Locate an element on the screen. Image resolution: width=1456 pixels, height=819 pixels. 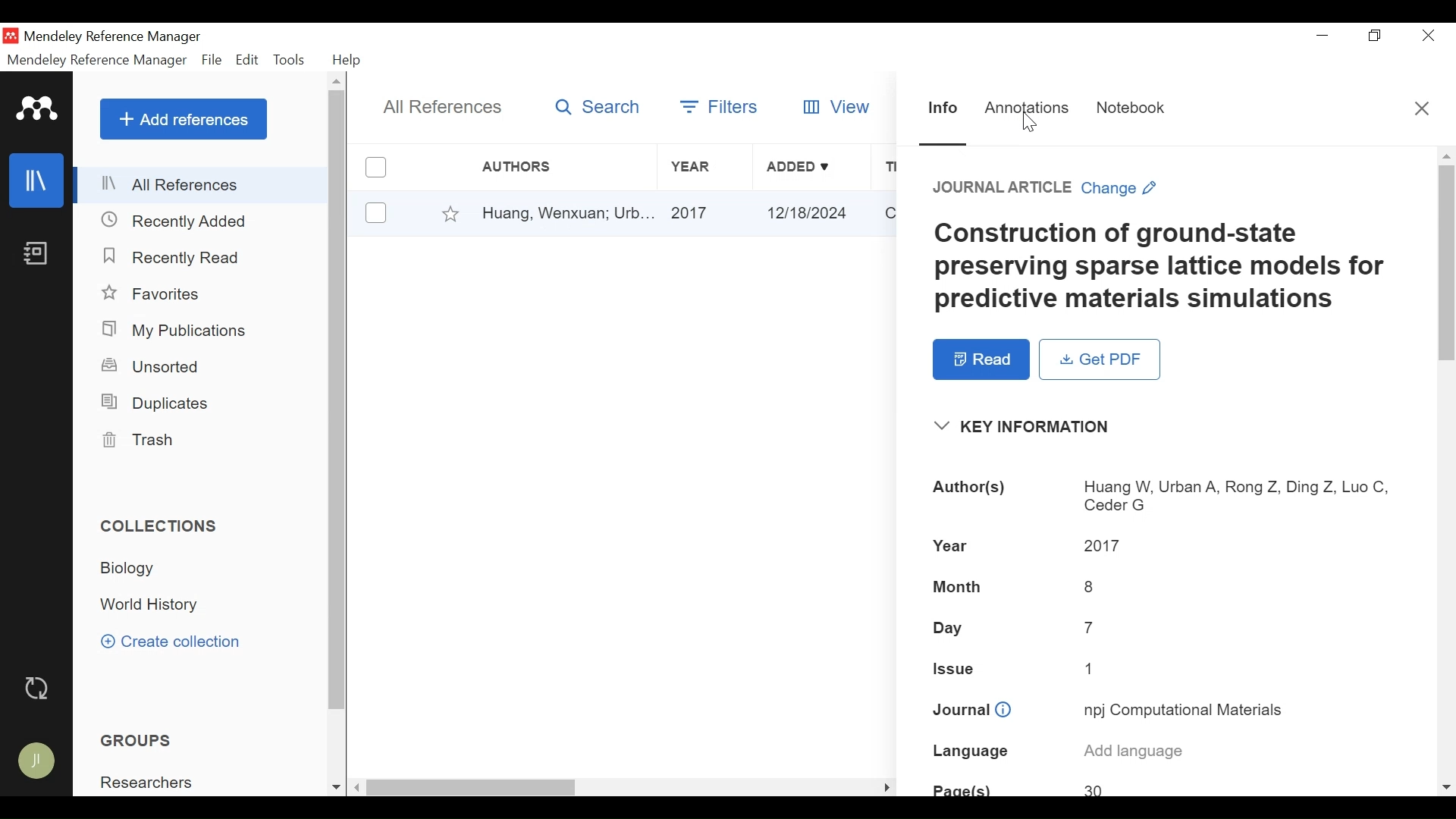
Scroll Down is located at coordinates (334, 788).